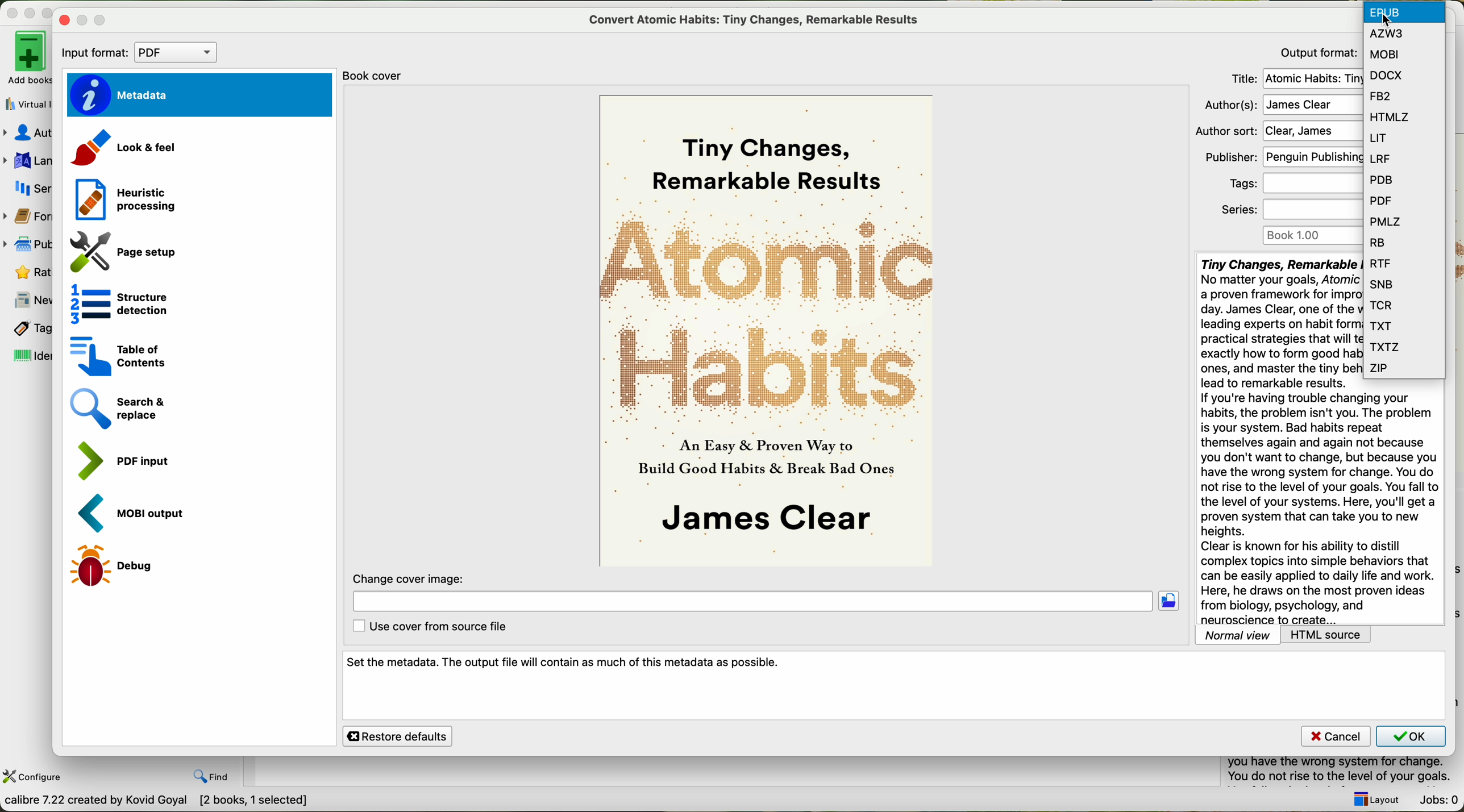  I want to click on rating, so click(26, 272).